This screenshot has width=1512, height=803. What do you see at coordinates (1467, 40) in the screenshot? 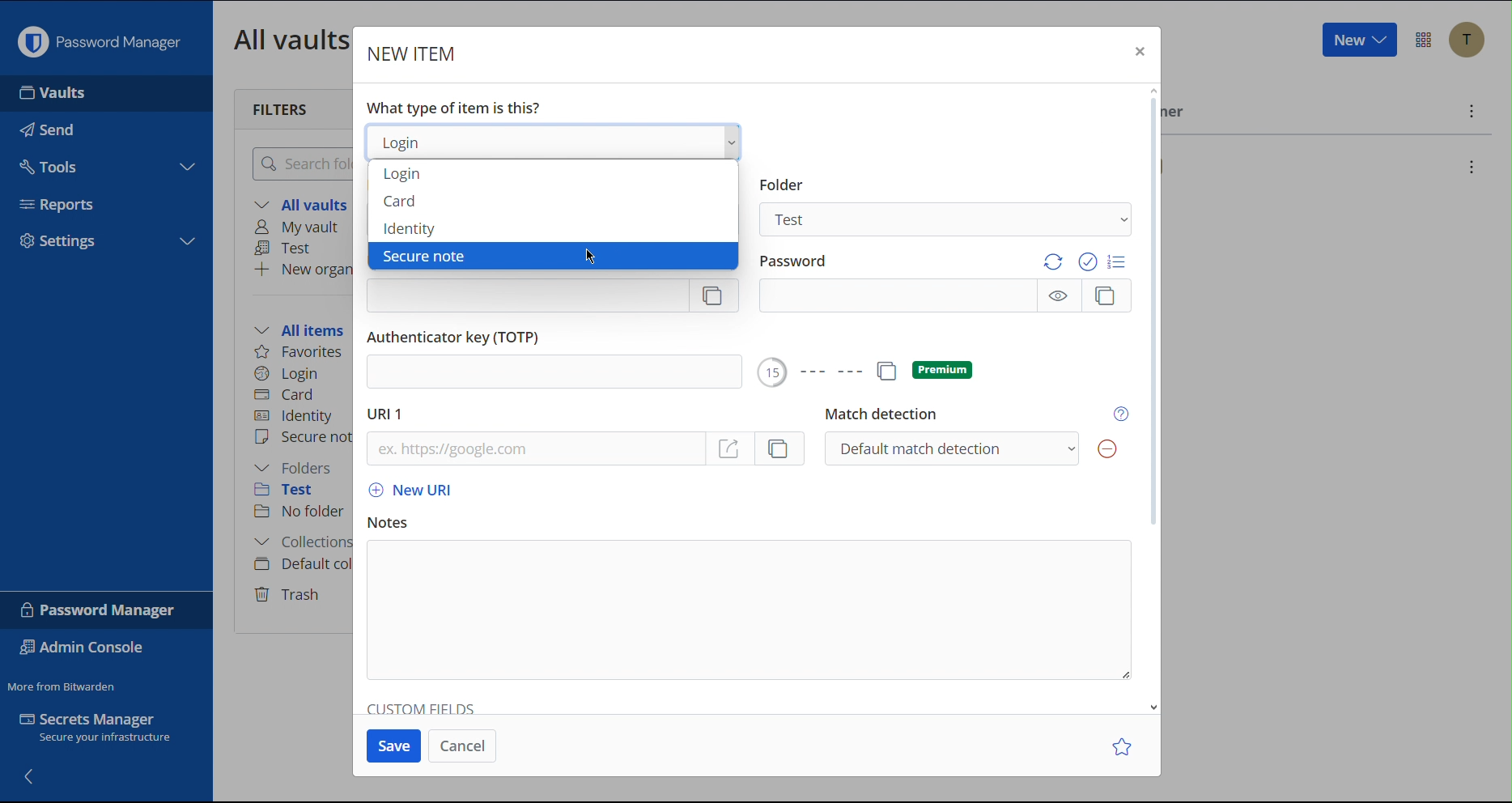
I see `Accounts` at bounding box center [1467, 40].